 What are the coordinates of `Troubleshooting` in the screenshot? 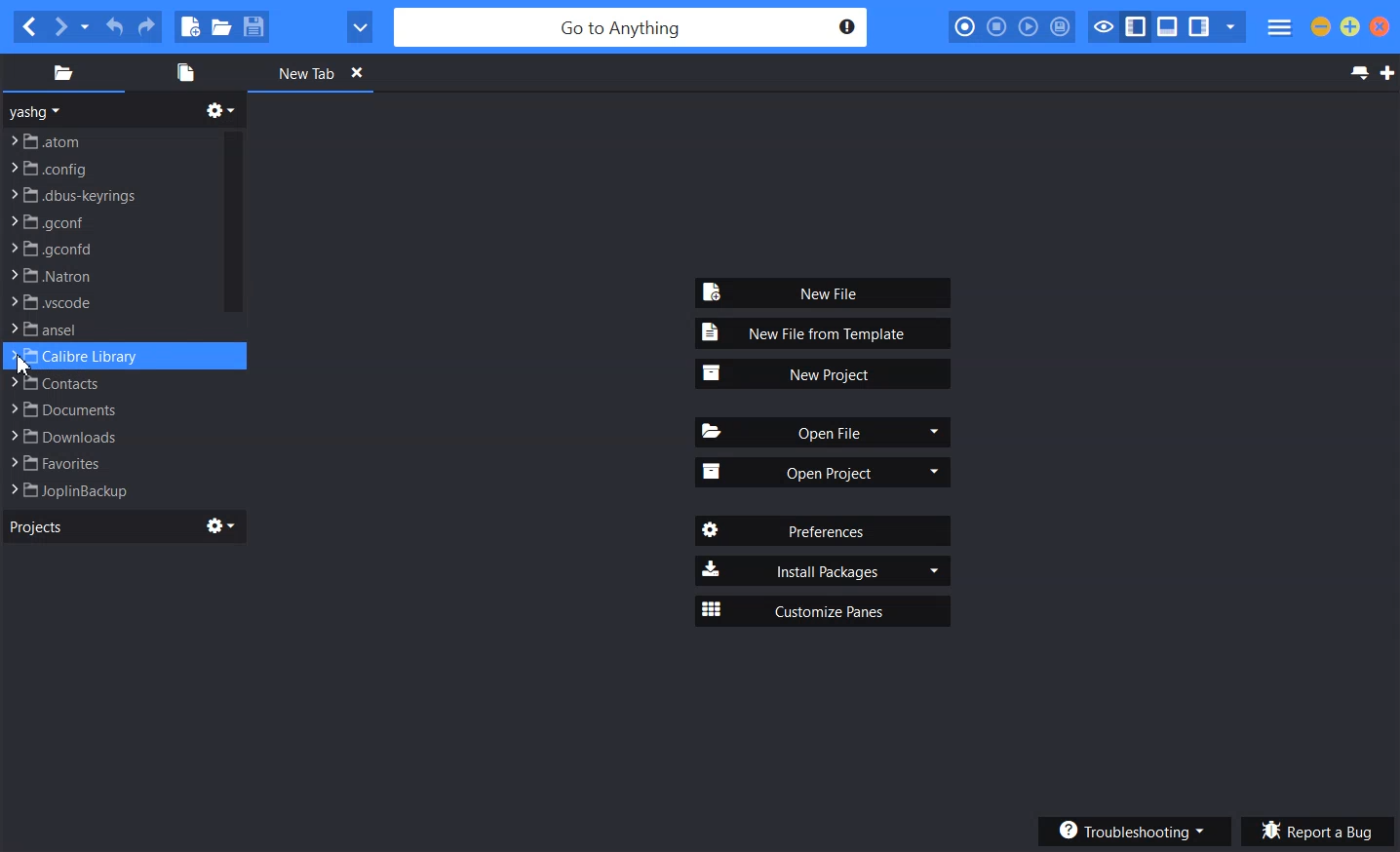 It's located at (1132, 829).